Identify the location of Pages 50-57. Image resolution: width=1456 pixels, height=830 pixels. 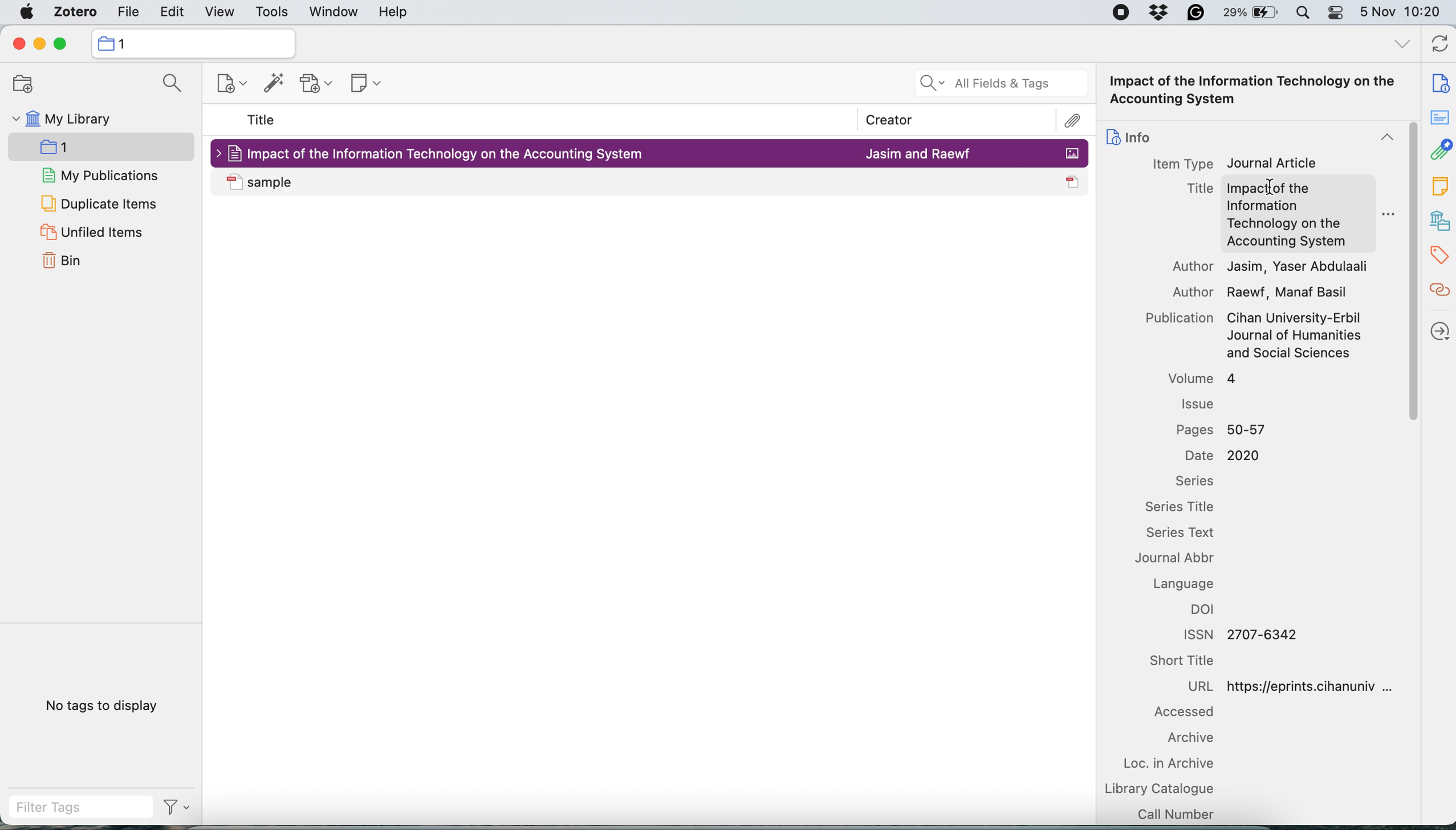
(1220, 430).